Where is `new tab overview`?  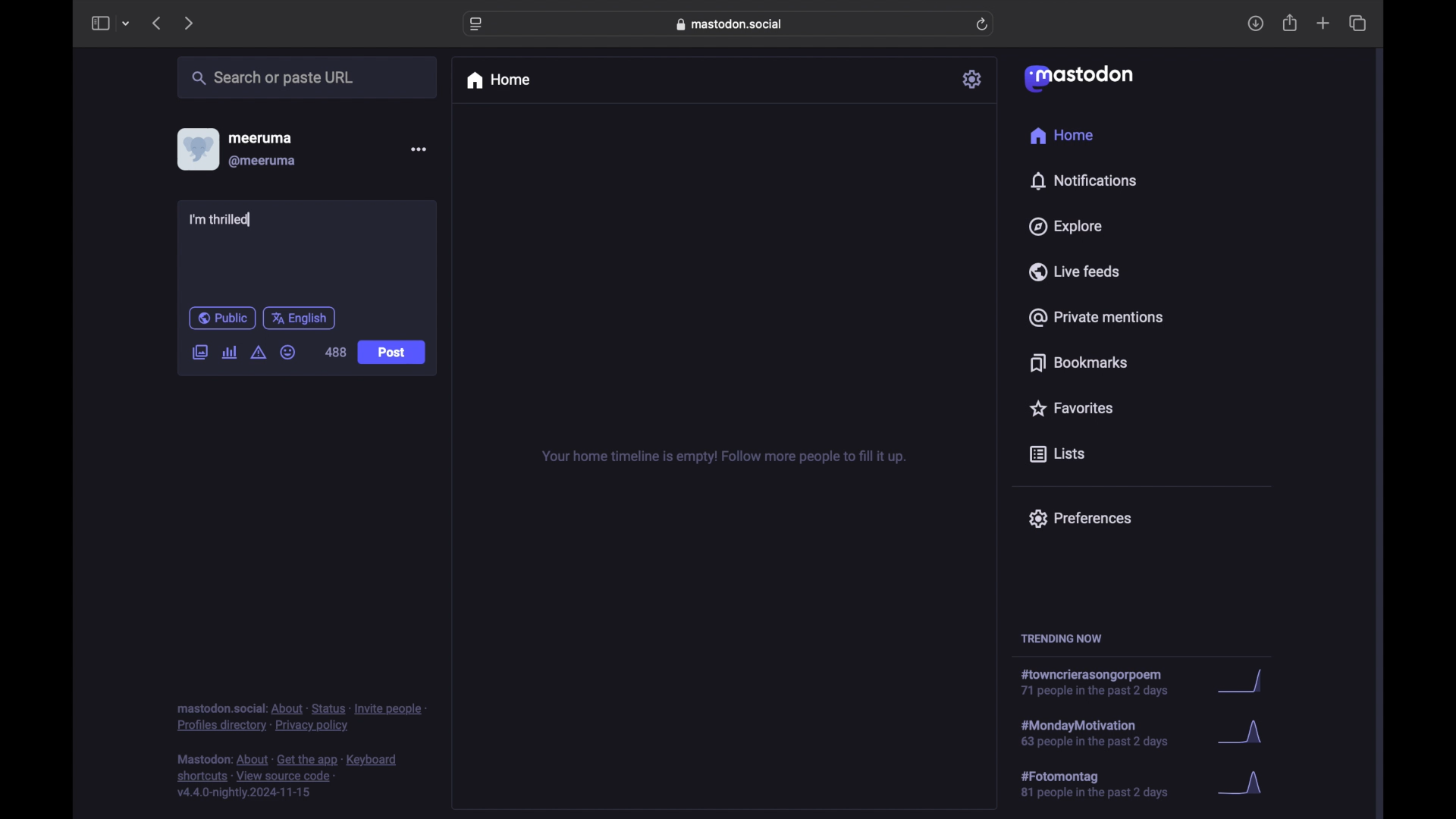
new tab overview is located at coordinates (1323, 23).